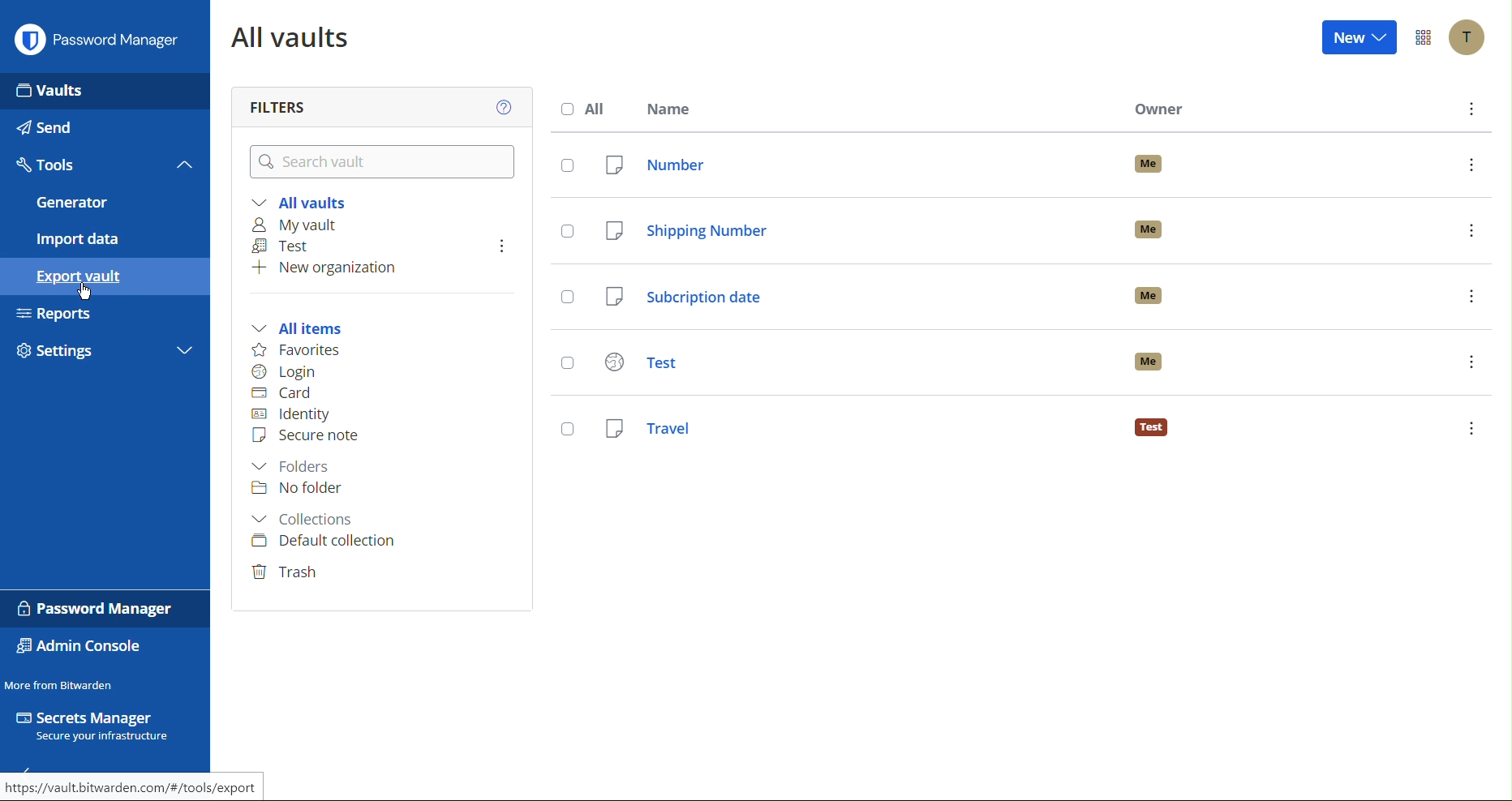 This screenshot has width=1512, height=801. Describe the element at coordinates (298, 489) in the screenshot. I see `No folder` at that location.